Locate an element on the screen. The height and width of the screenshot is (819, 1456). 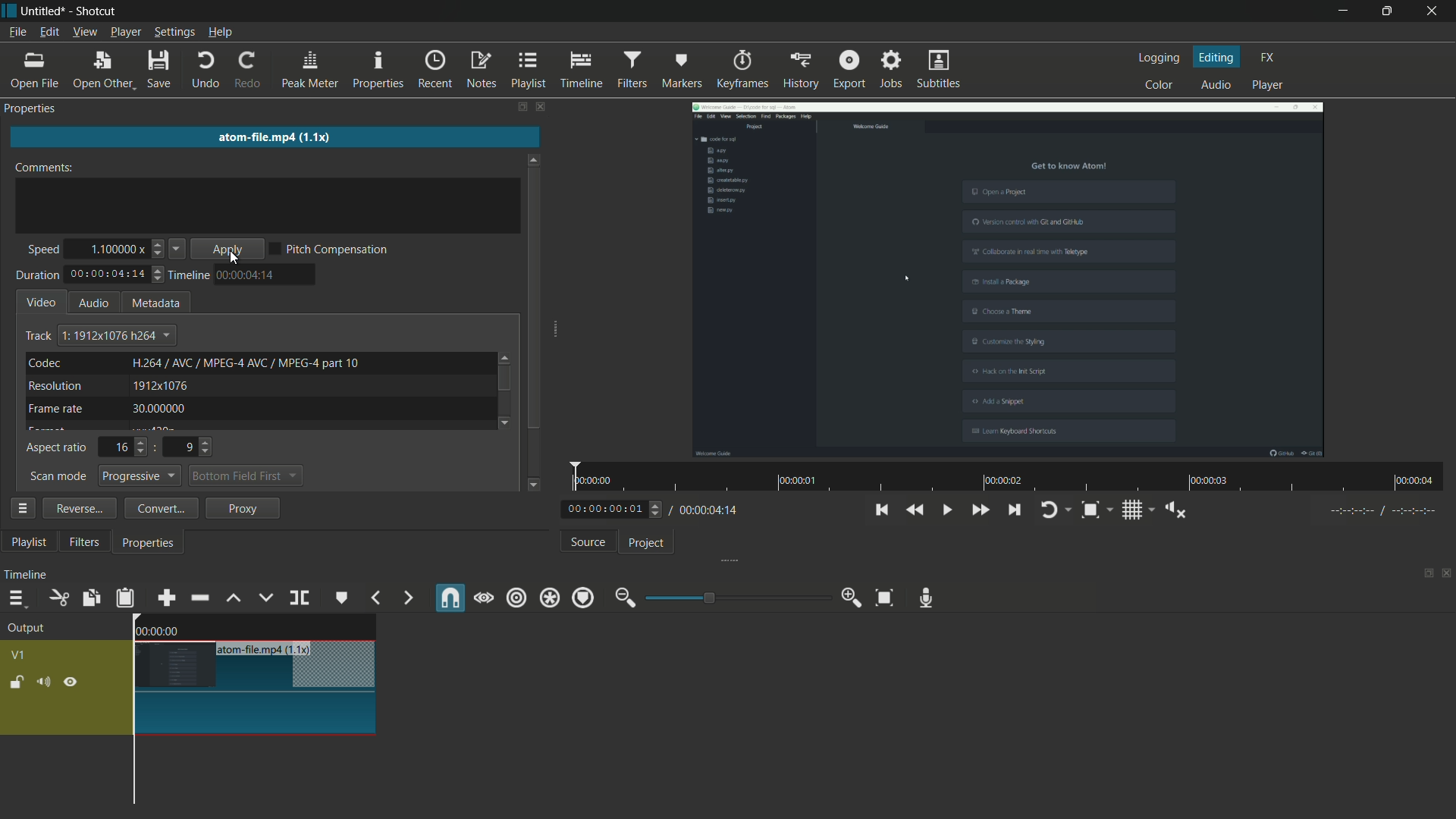
go down is located at coordinates (535, 482).